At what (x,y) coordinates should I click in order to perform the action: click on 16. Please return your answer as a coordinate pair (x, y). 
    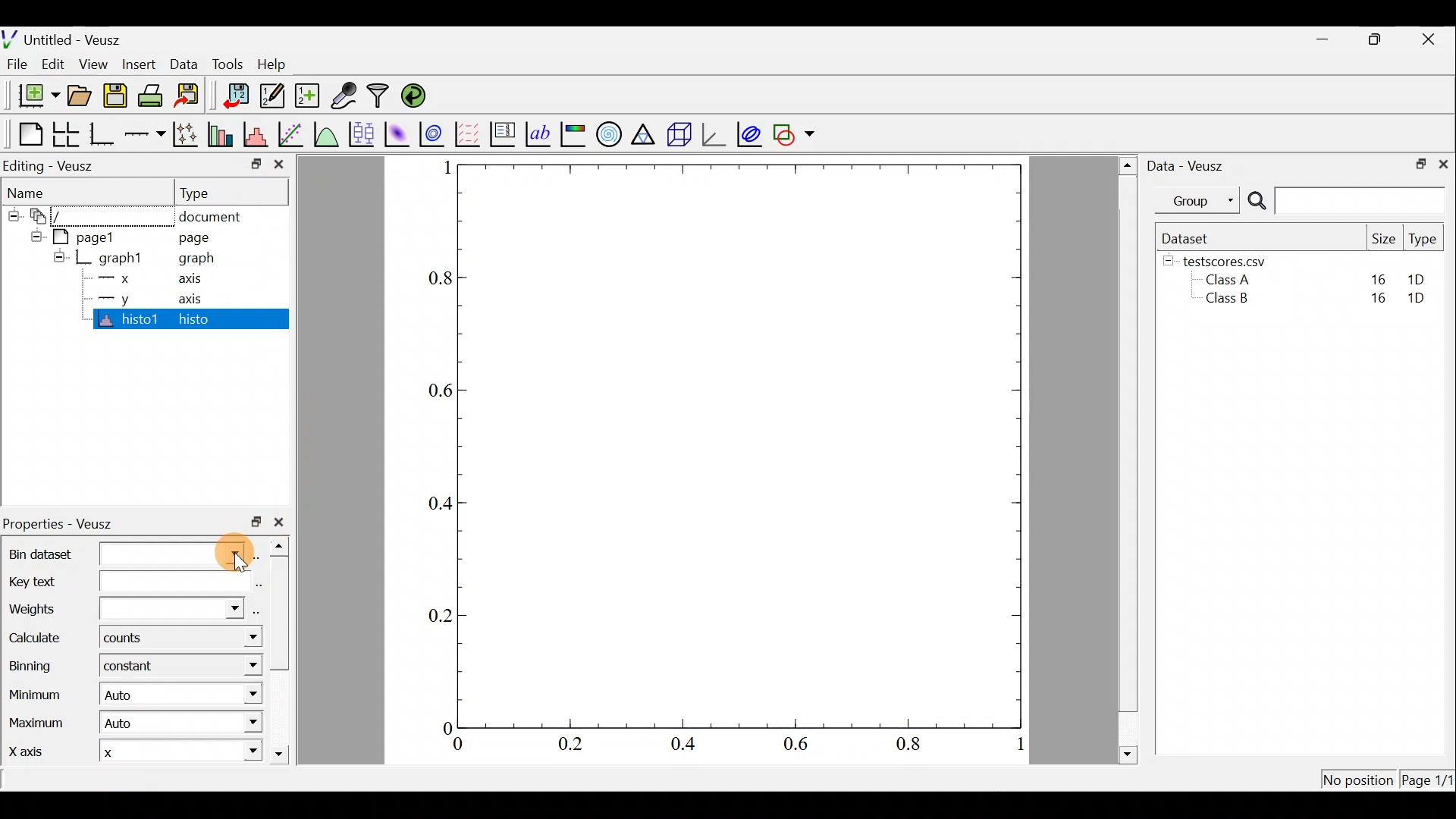
    Looking at the image, I should click on (1375, 302).